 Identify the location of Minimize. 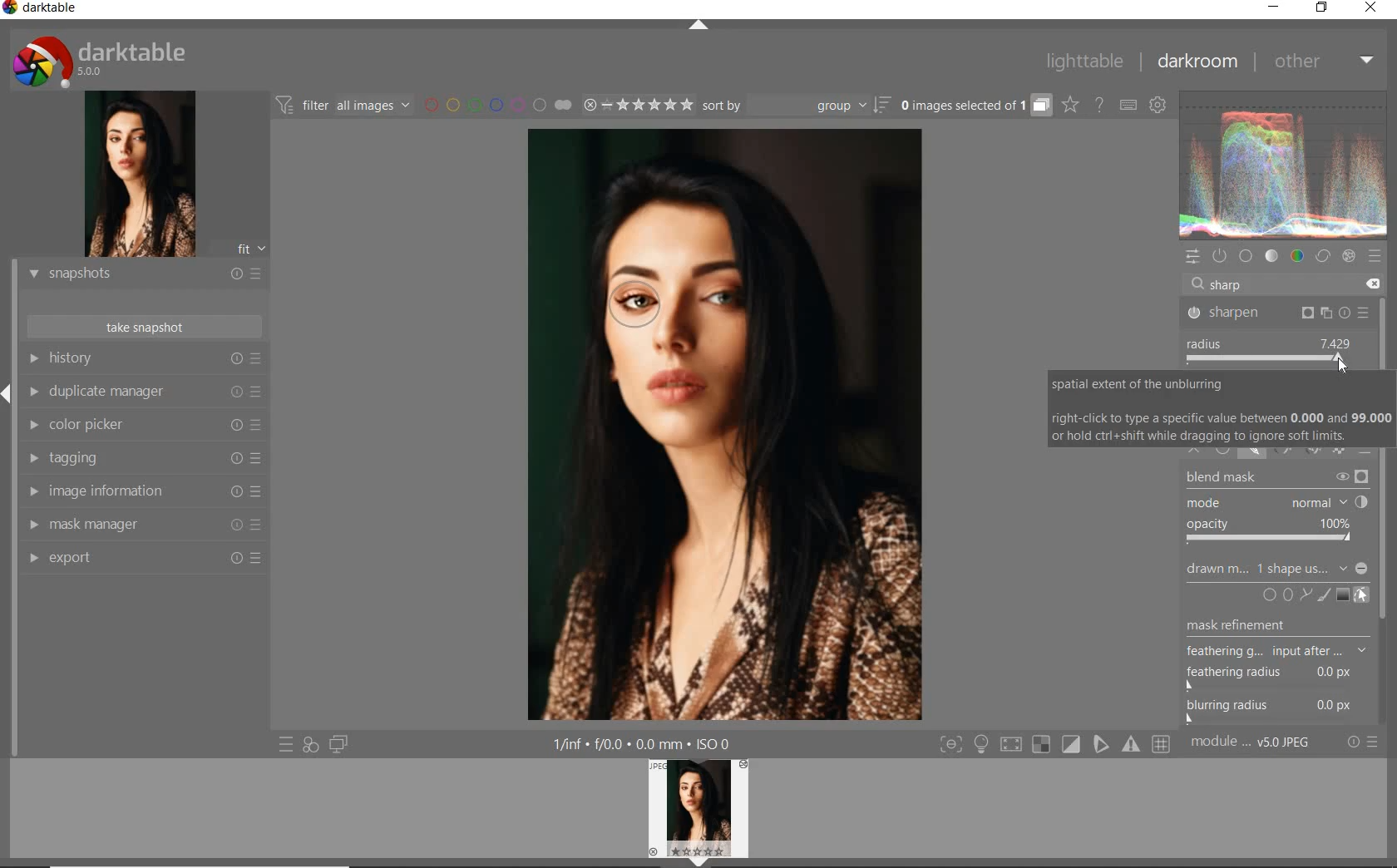
(1363, 569).